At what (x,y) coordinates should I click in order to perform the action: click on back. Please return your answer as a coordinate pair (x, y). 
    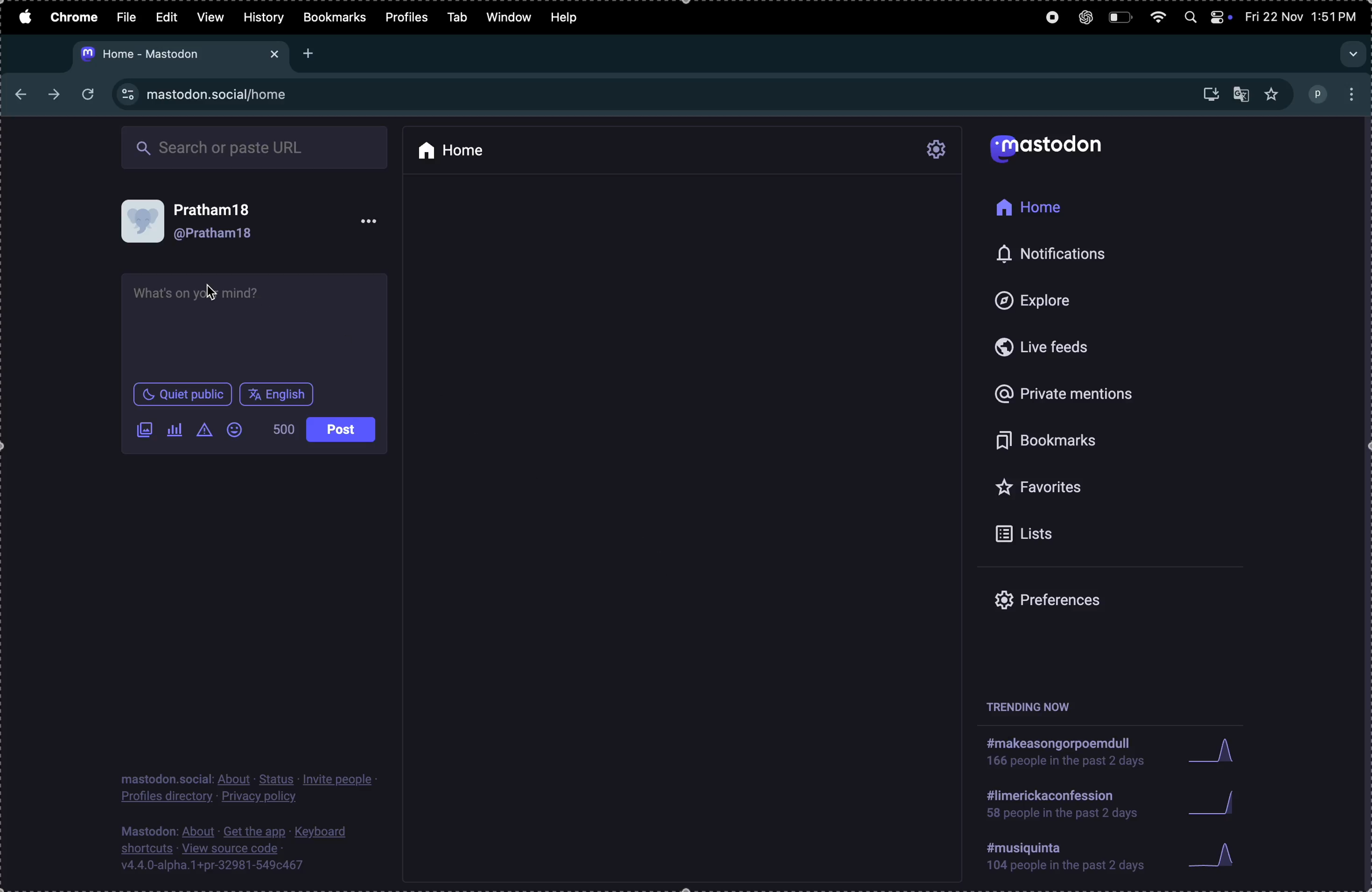
    Looking at the image, I should click on (23, 94).